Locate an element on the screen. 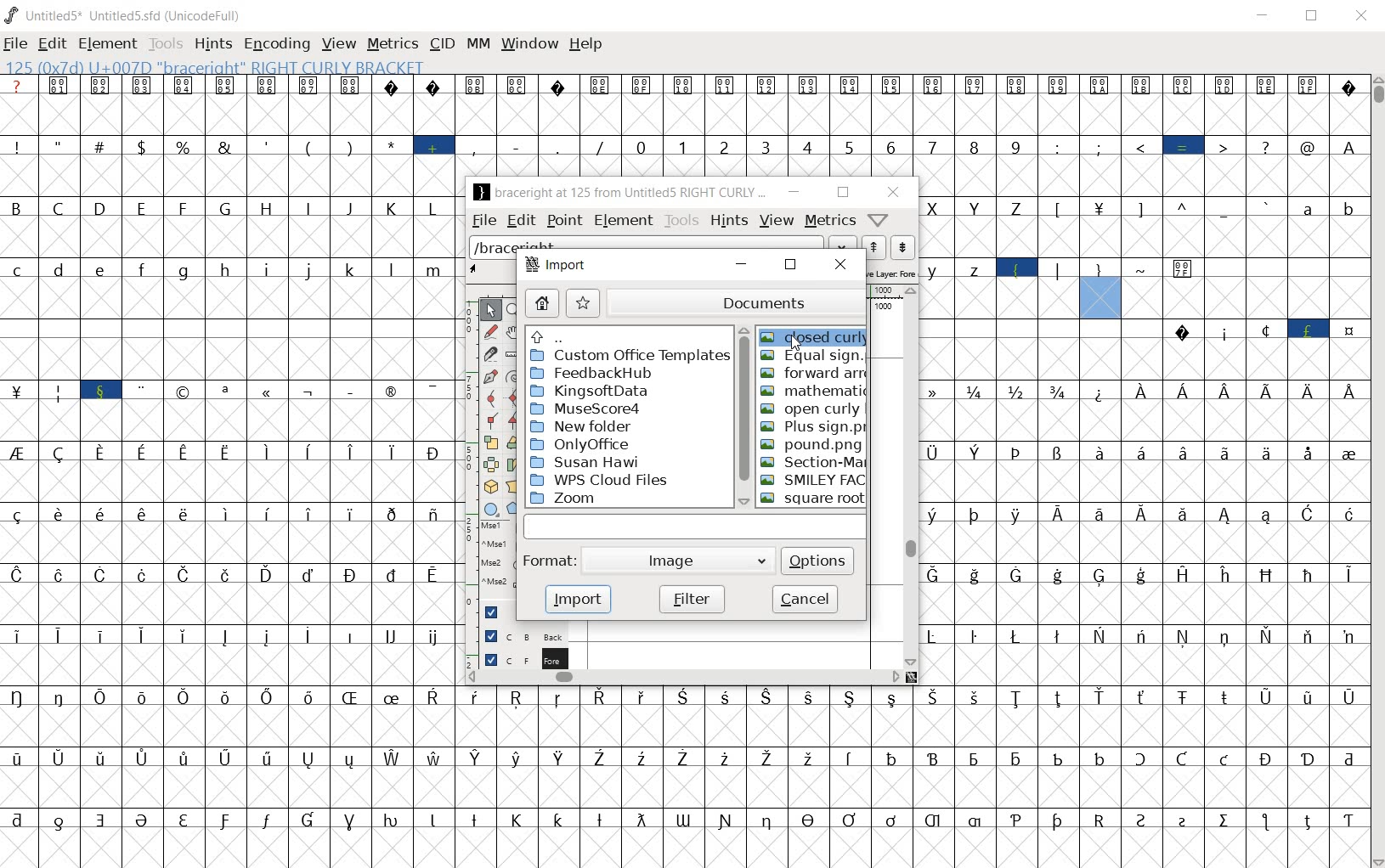 The image size is (1385, 868). Add a corner point is located at coordinates (512, 420).